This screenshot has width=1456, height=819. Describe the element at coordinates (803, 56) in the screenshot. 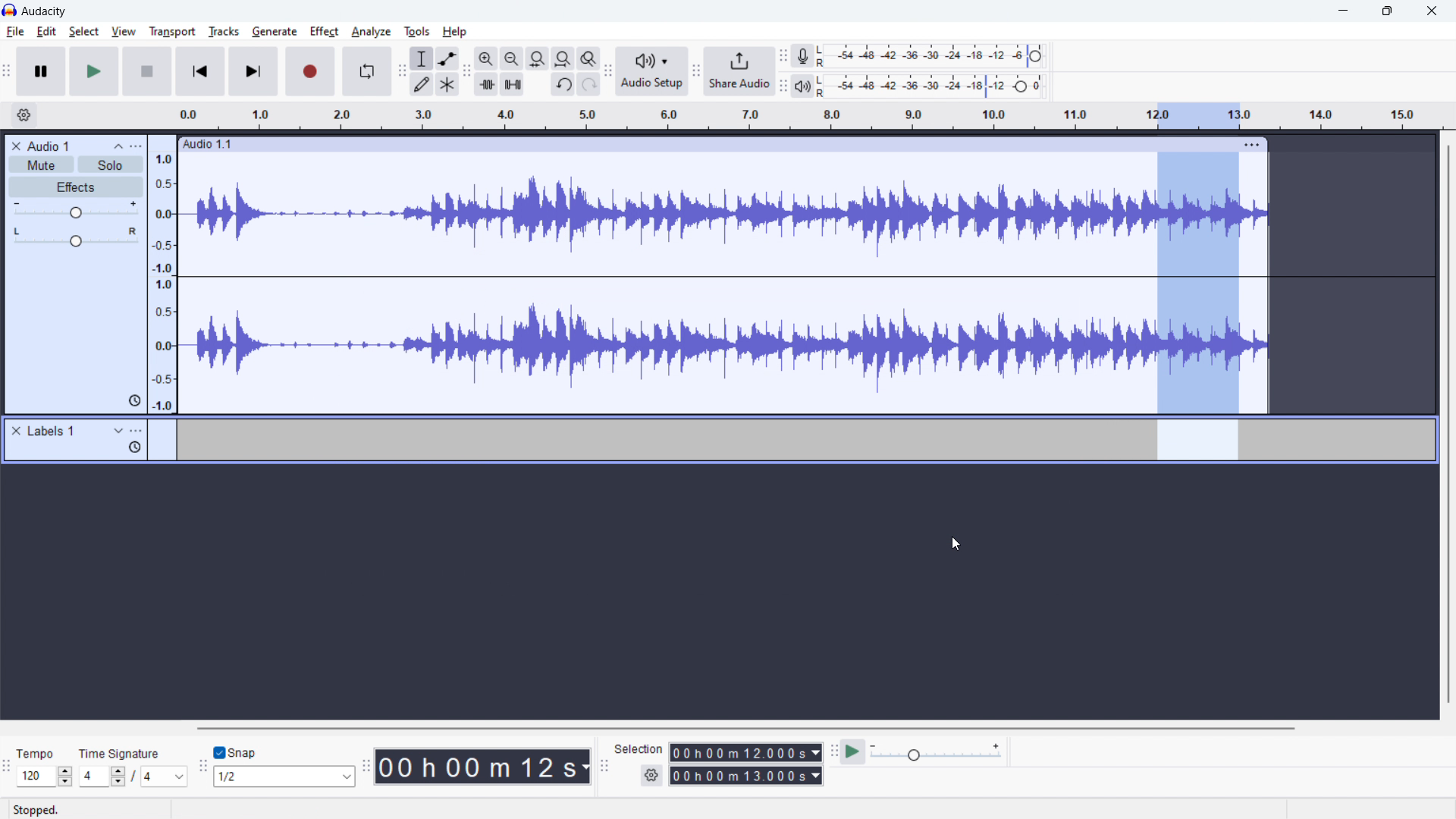

I see `recording meter` at that location.